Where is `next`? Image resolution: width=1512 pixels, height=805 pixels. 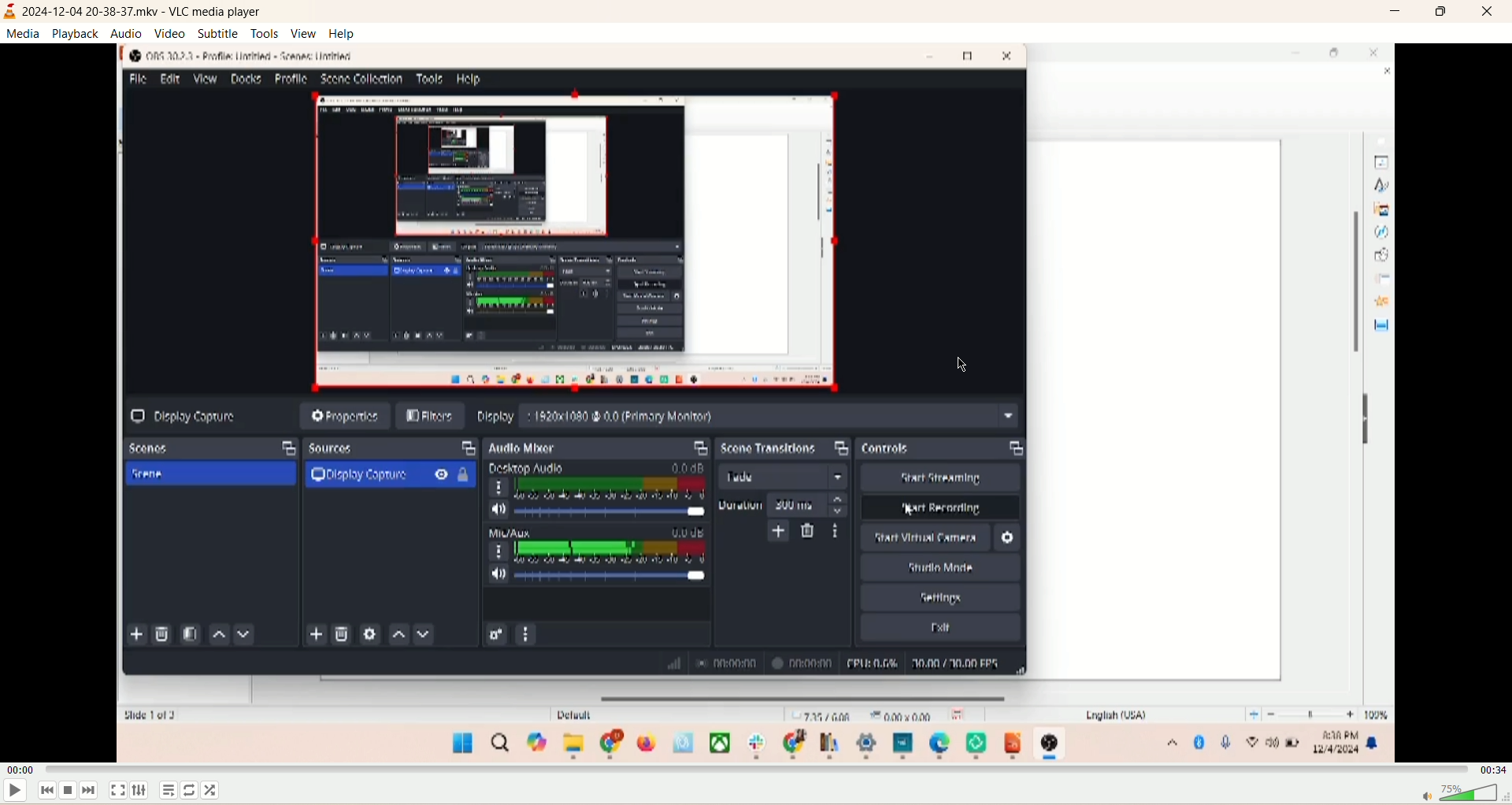 next is located at coordinates (95, 791).